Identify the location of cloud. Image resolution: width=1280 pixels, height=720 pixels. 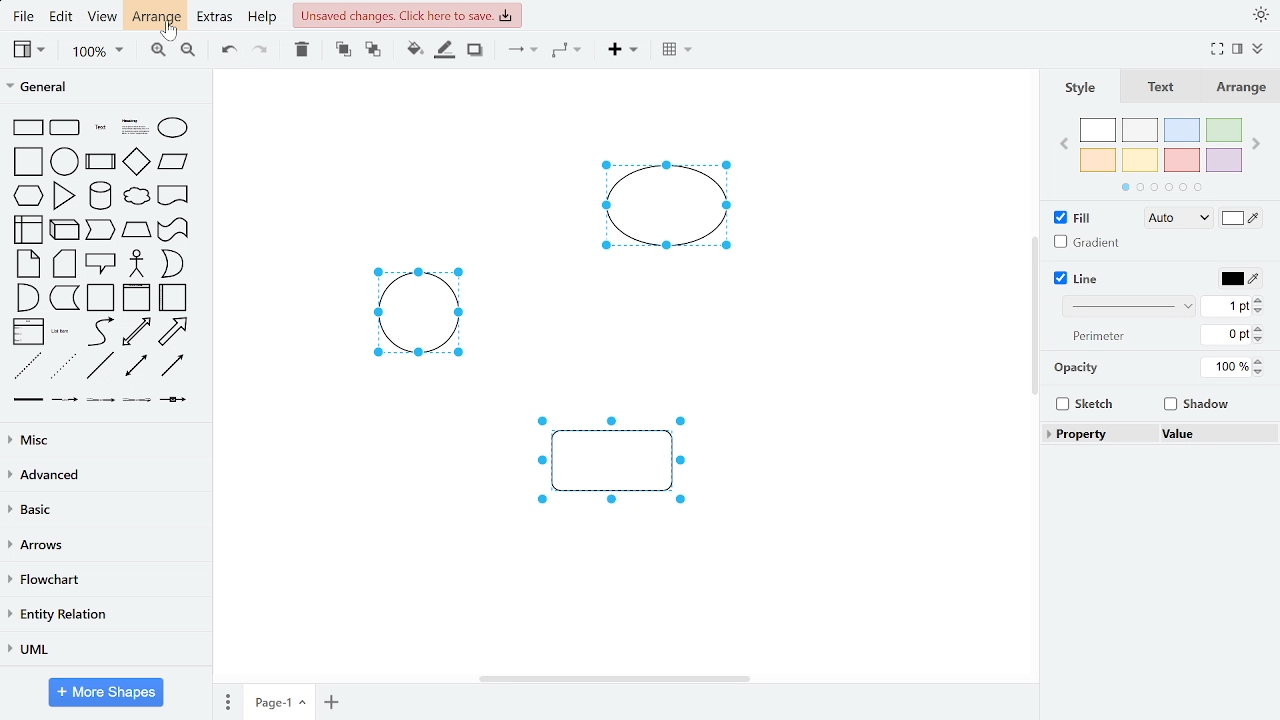
(135, 196).